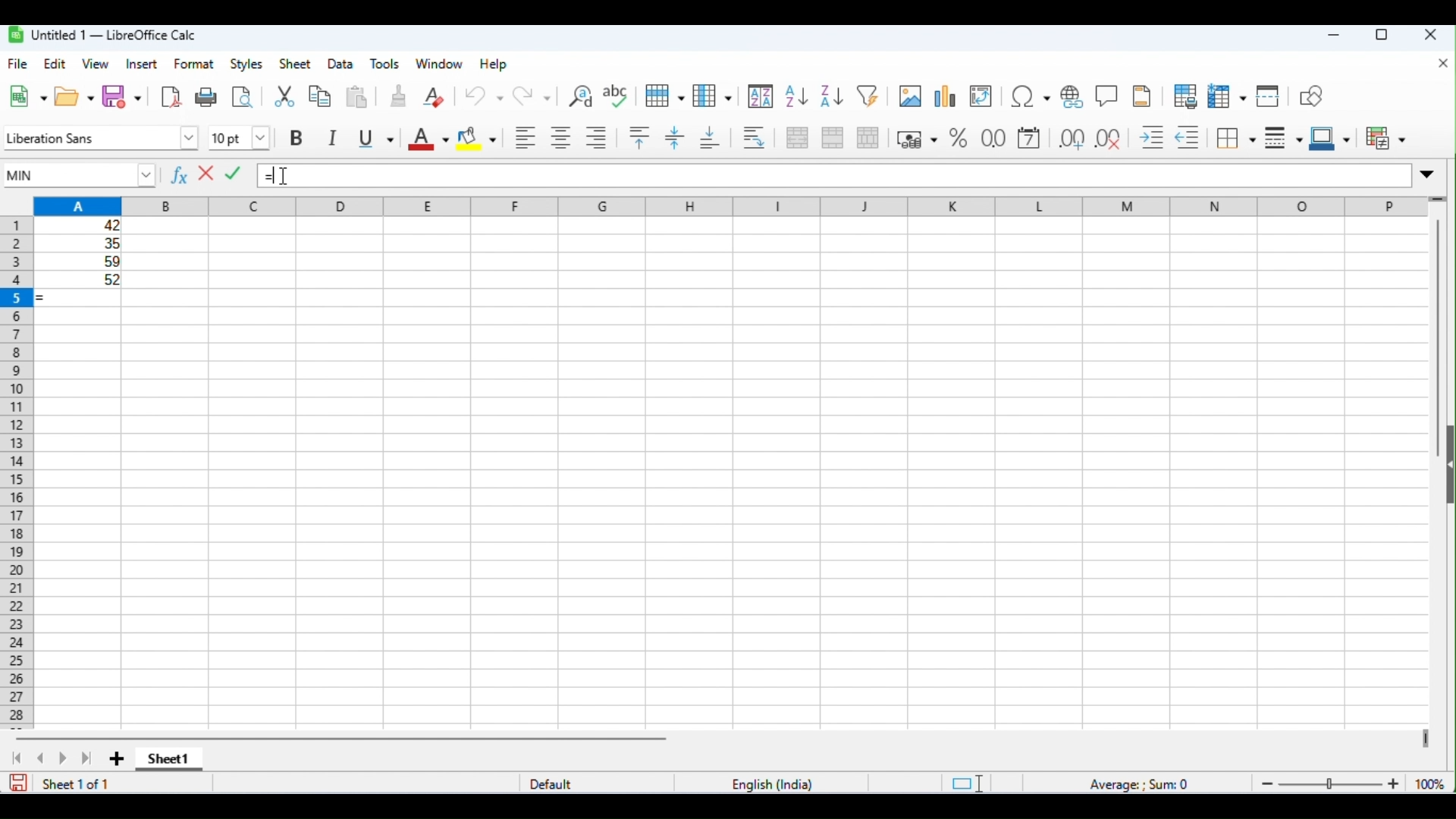 The image size is (1456, 819). Describe the element at coordinates (386, 64) in the screenshot. I see `tools` at that location.